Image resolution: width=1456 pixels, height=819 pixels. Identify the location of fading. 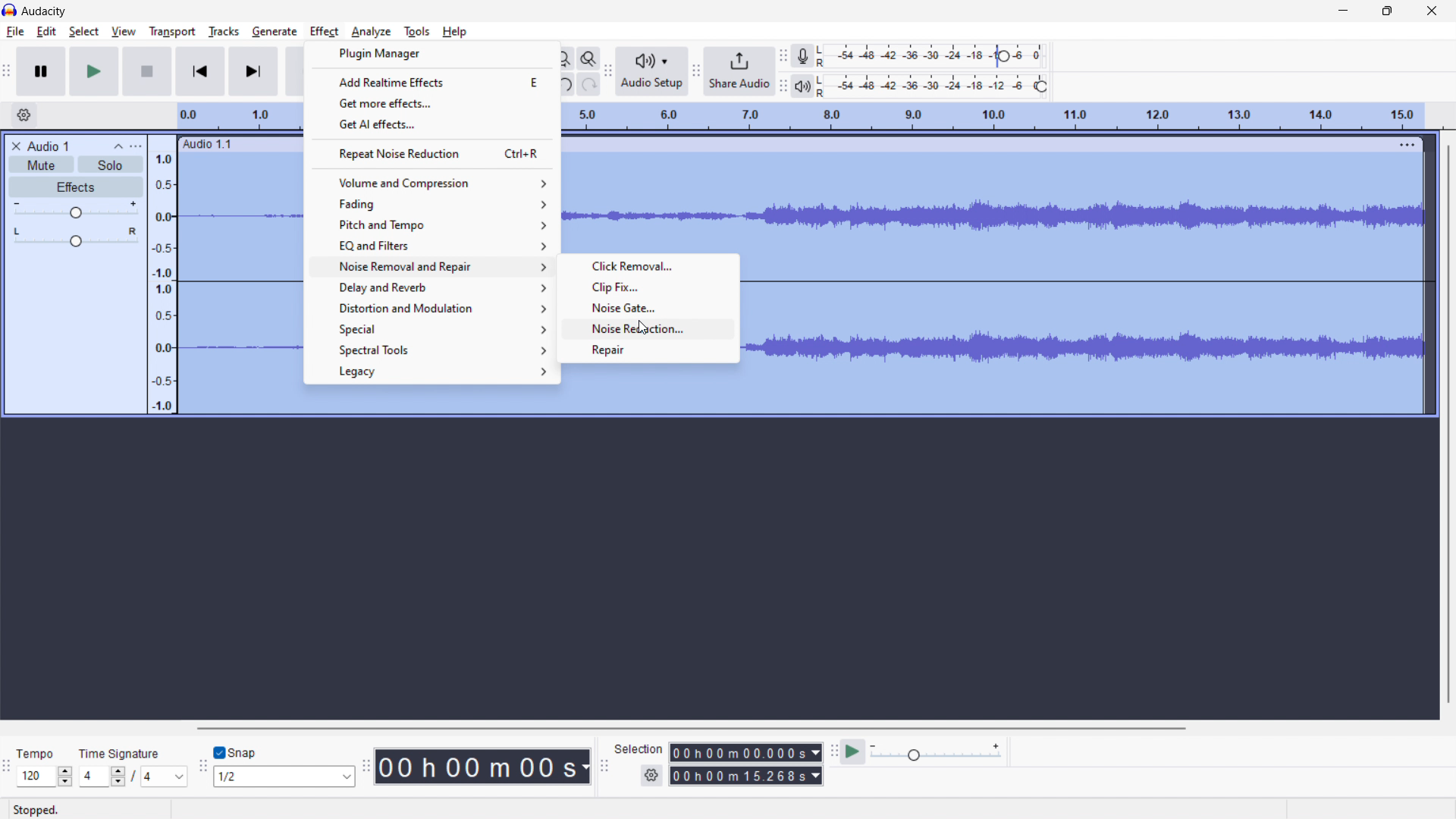
(431, 204).